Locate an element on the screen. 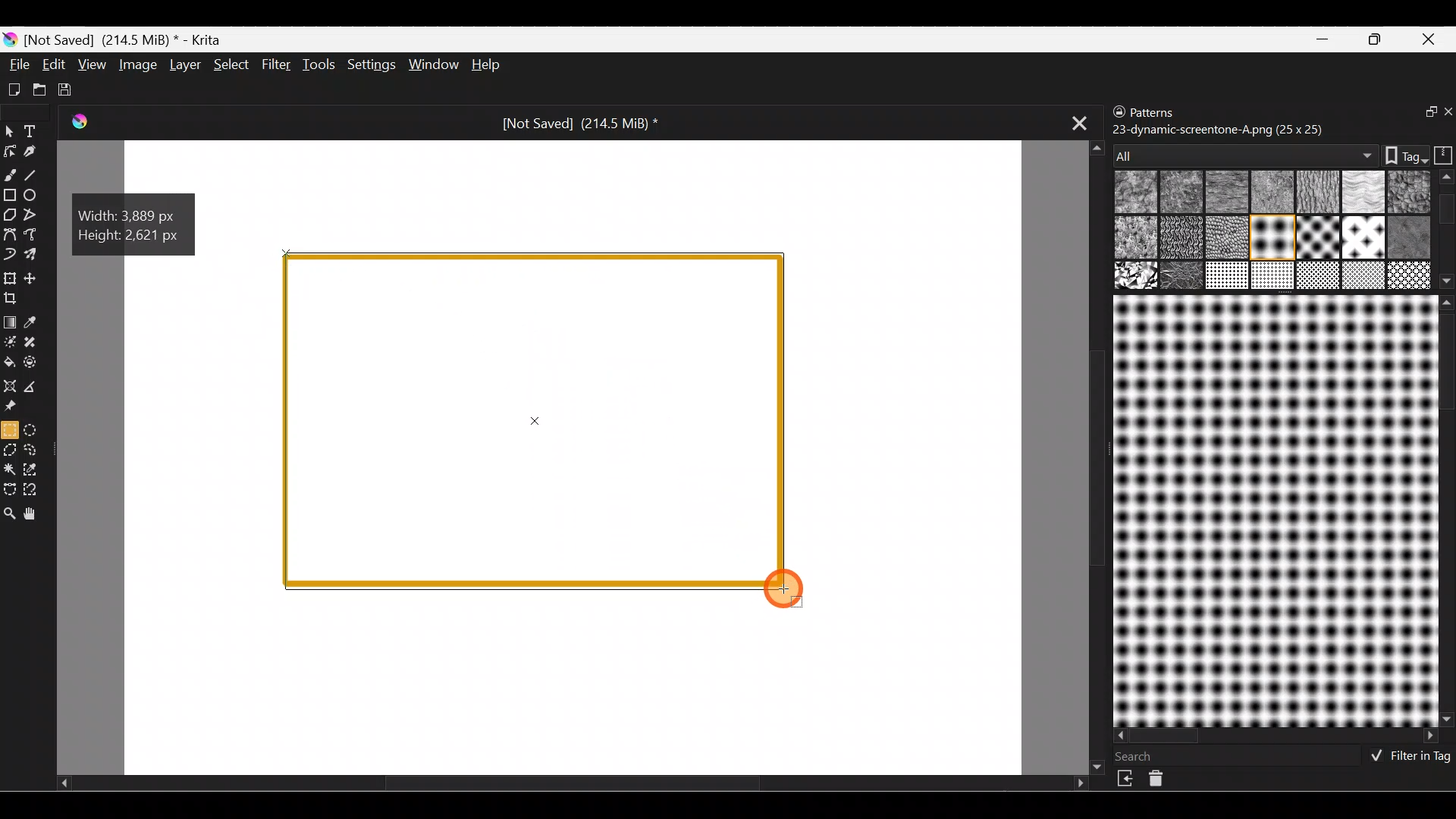 The height and width of the screenshot is (819, 1456). Close is located at coordinates (1432, 38).